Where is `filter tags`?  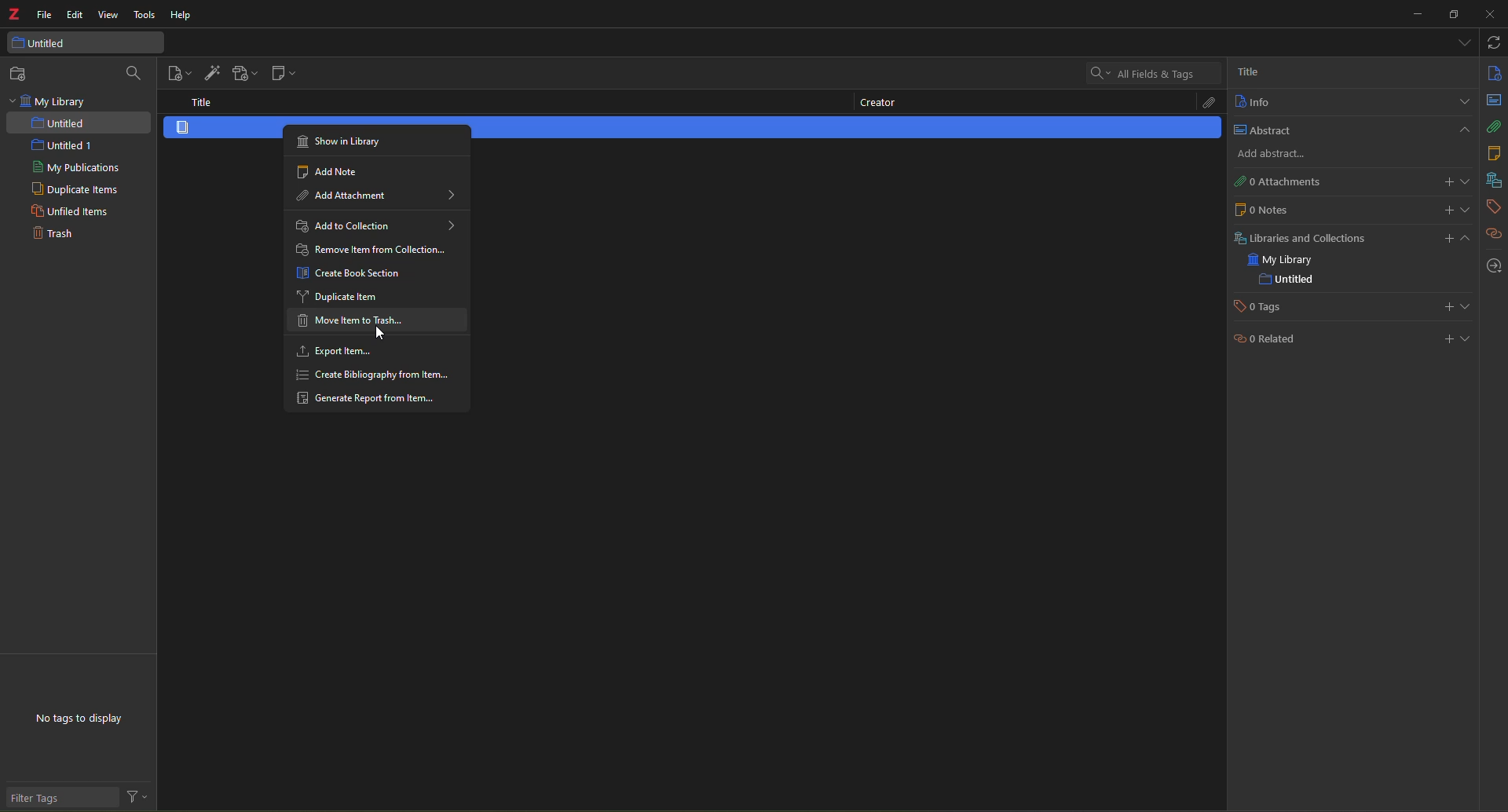 filter tags is located at coordinates (48, 799).